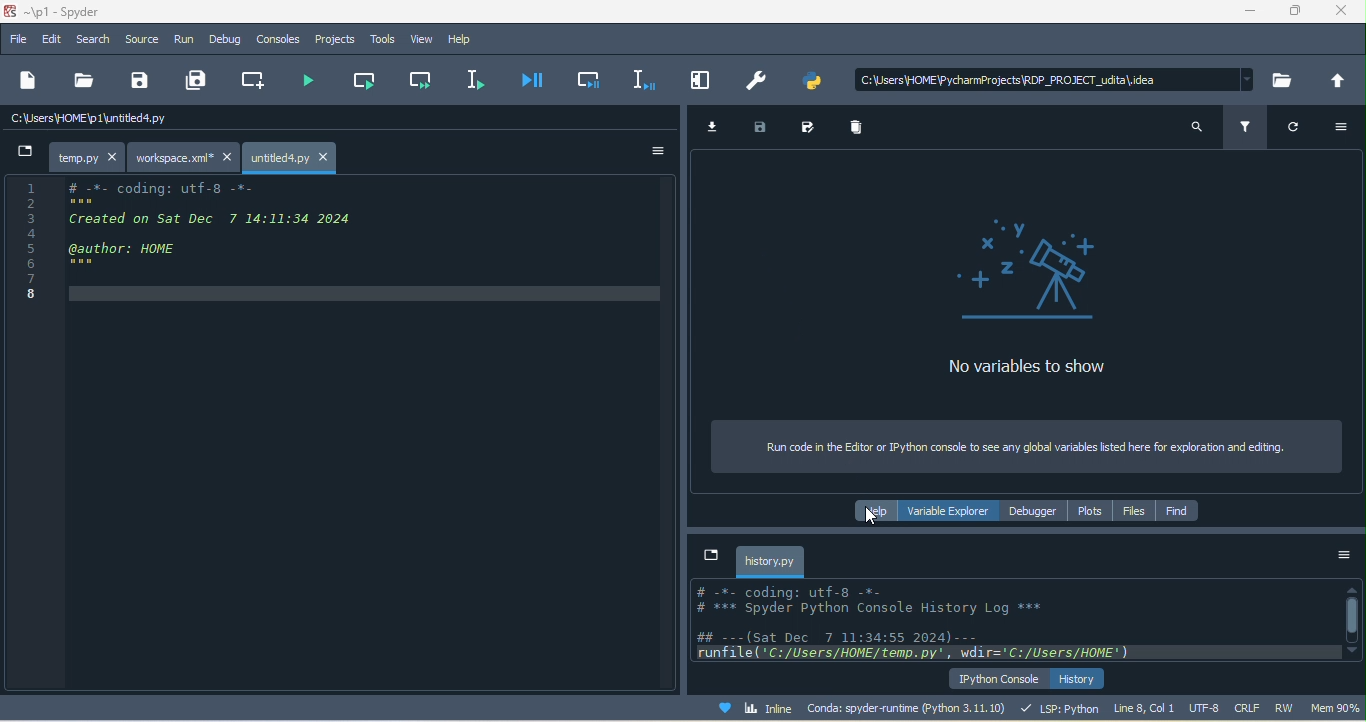  What do you see at coordinates (1209, 710) in the screenshot?
I see `utf 8` at bounding box center [1209, 710].